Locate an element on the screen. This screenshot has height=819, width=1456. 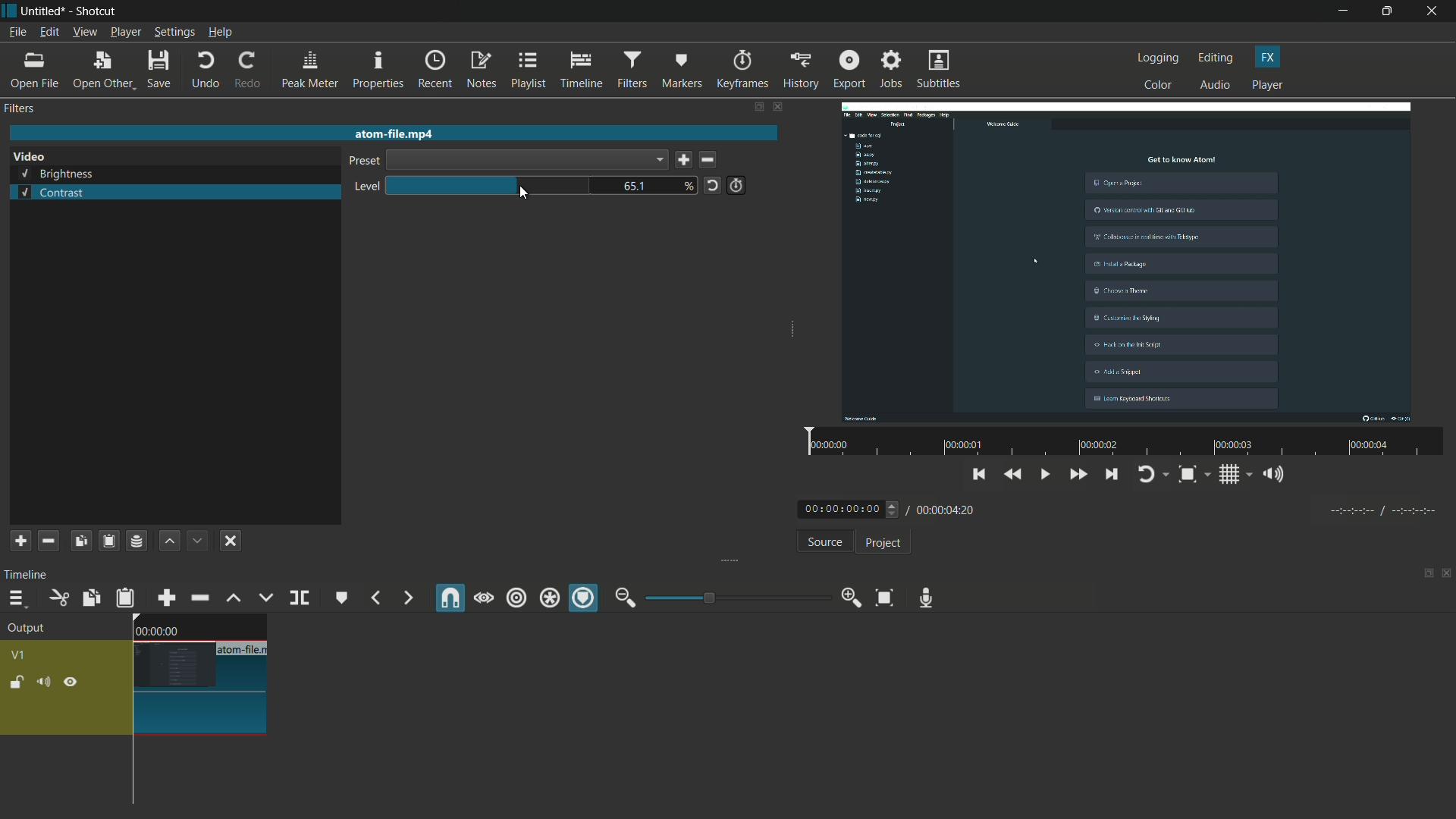
jobs is located at coordinates (891, 70).